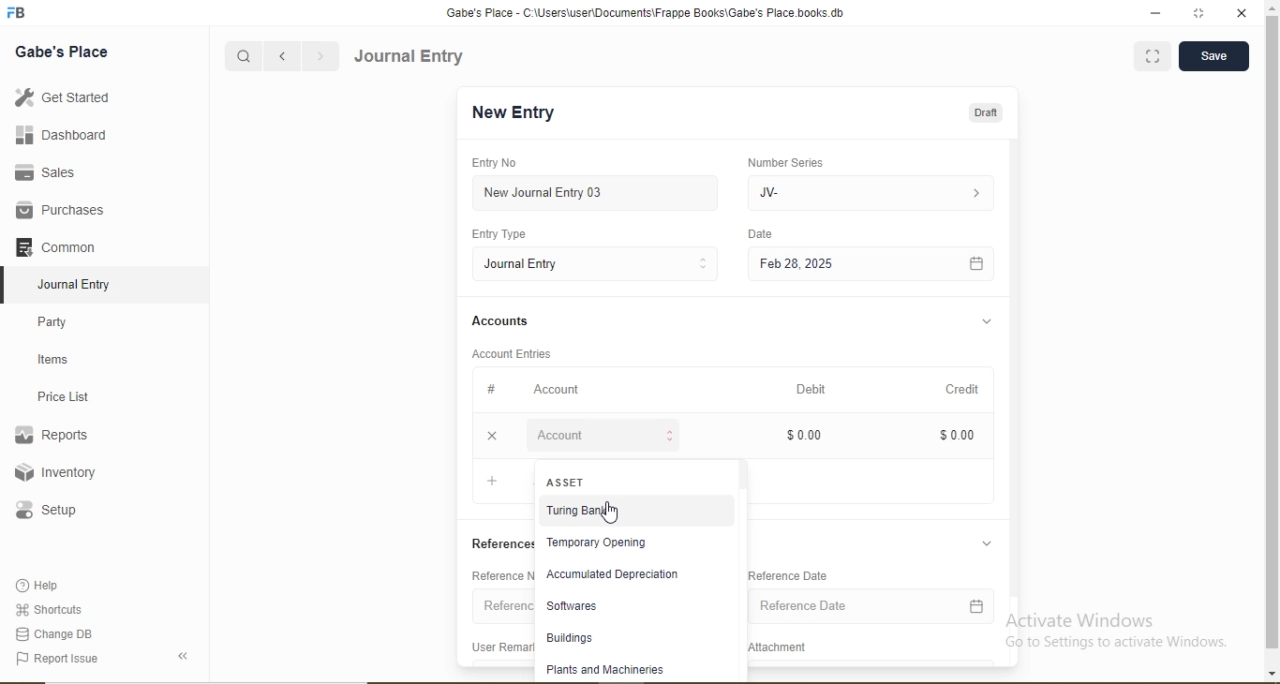  Describe the element at coordinates (52, 635) in the screenshot. I see `Change DB` at that location.